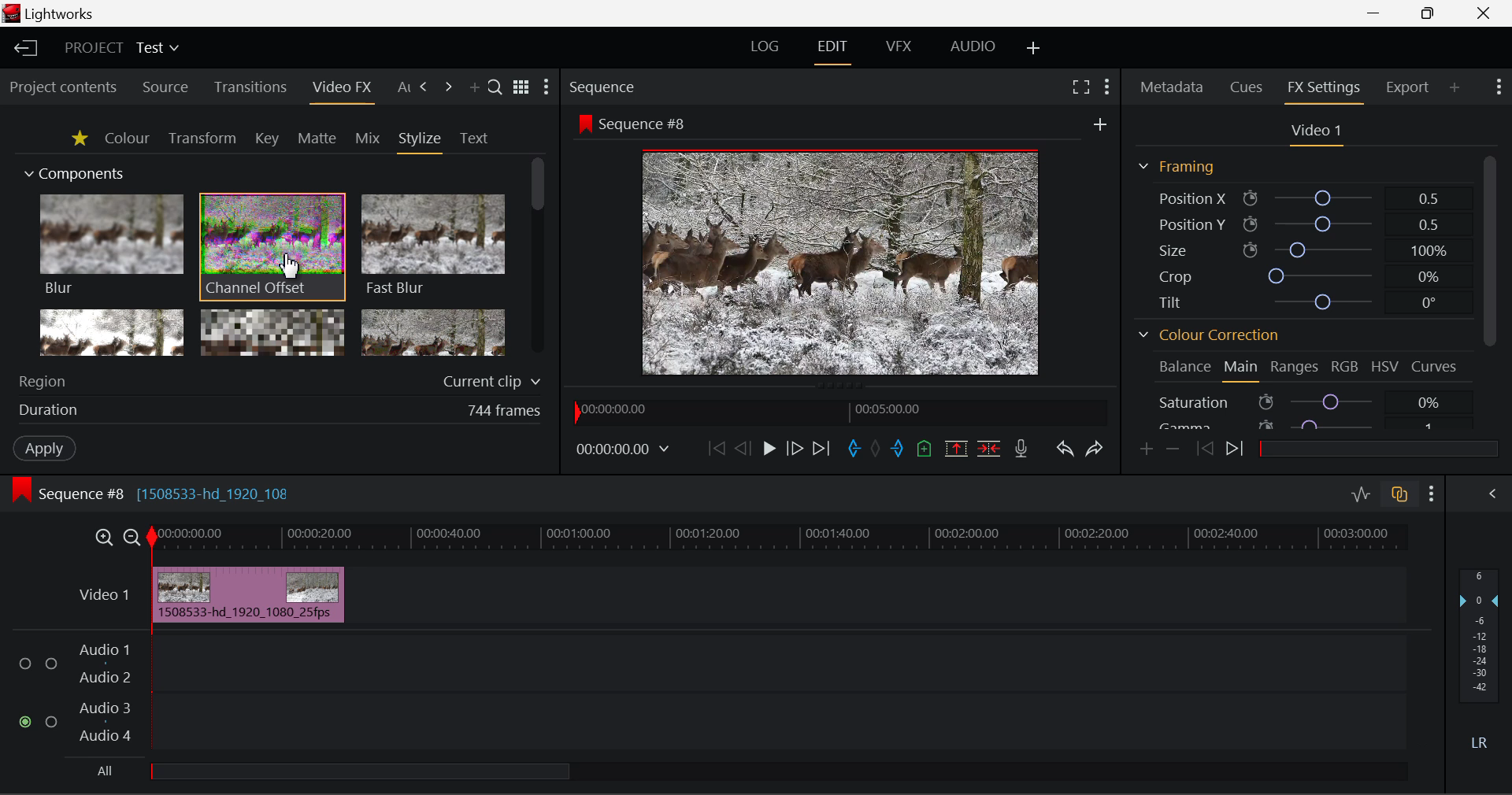  What do you see at coordinates (1106, 89) in the screenshot?
I see `Show Settings` at bounding box center [1106, 89].